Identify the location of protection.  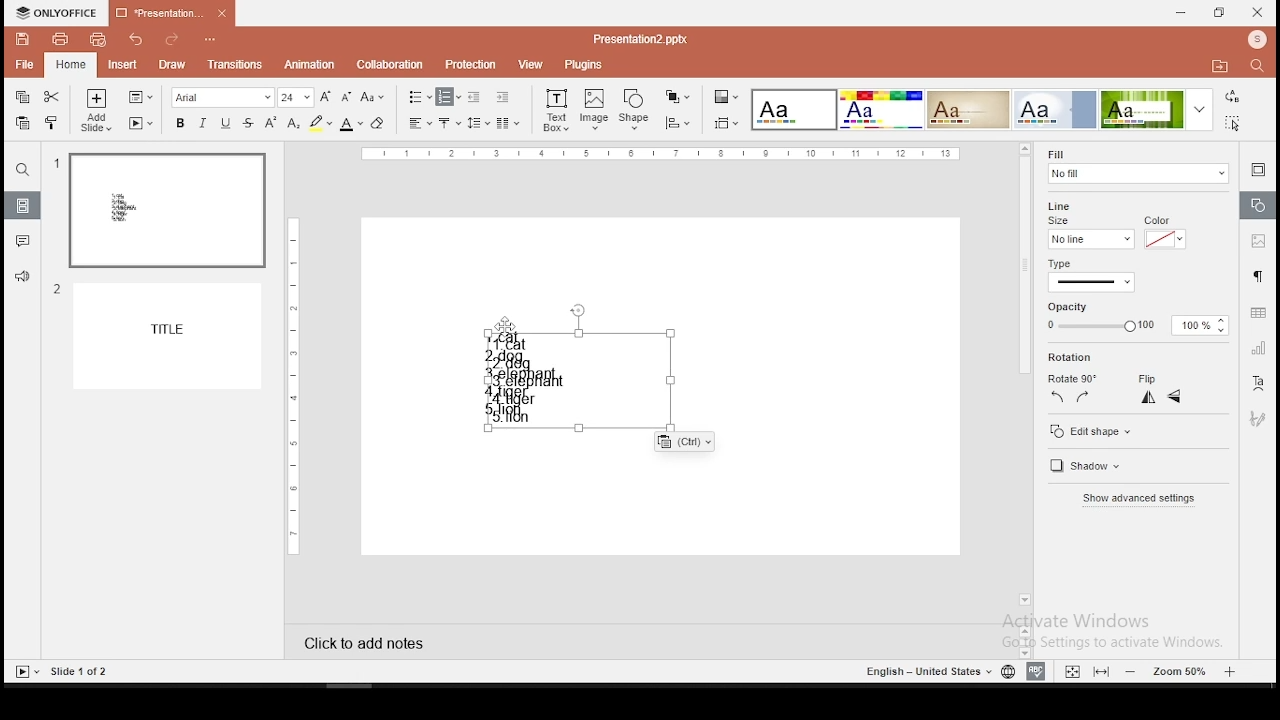
(472, 63).